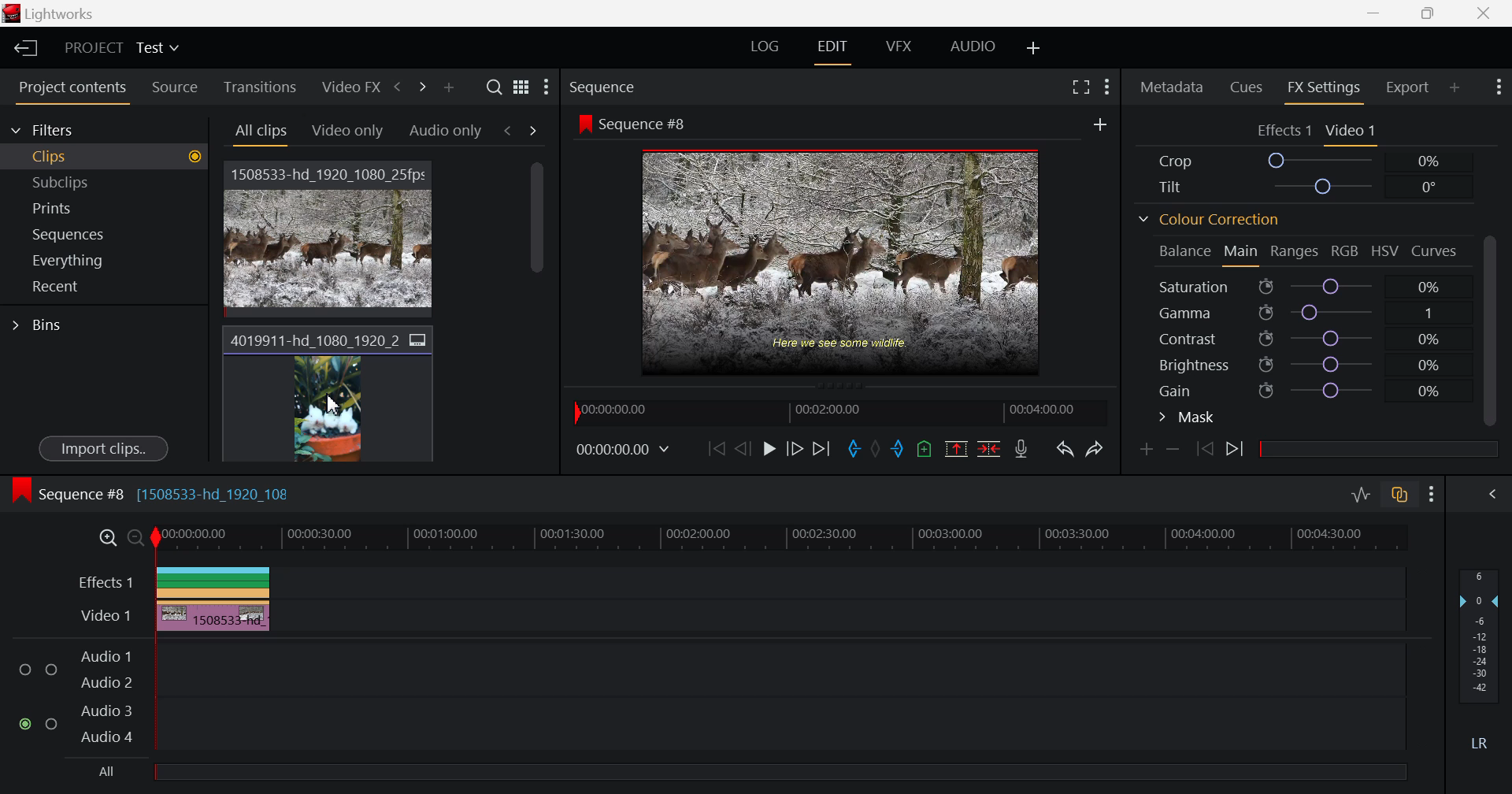 The height and width of the screenshot is (794, 1512). Describe the element at coordinates (1242, 253) in the screenshot. I see `Main Tab Open` at that location.